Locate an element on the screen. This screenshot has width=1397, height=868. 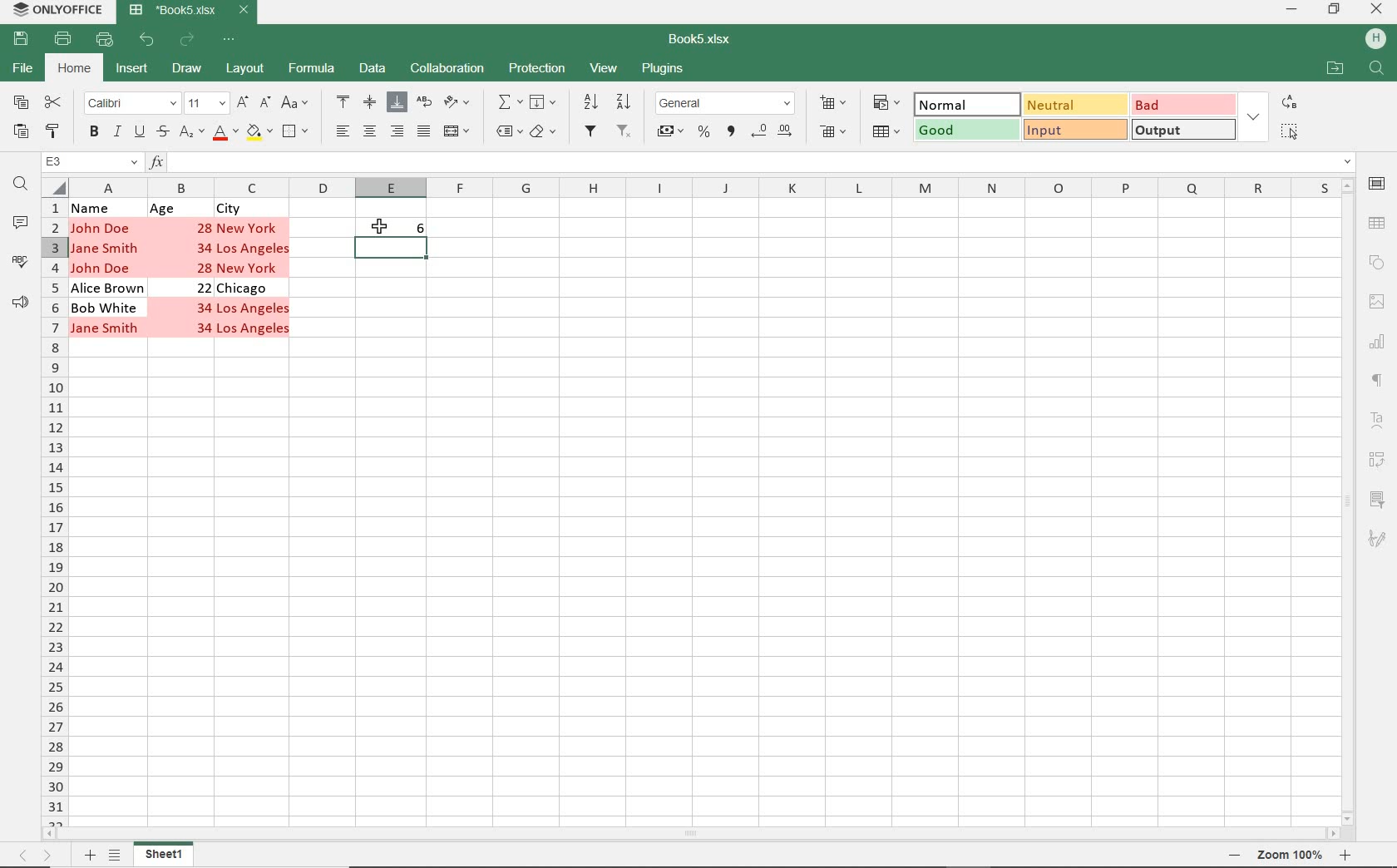
ROWS is located at coordinates (54, 513).